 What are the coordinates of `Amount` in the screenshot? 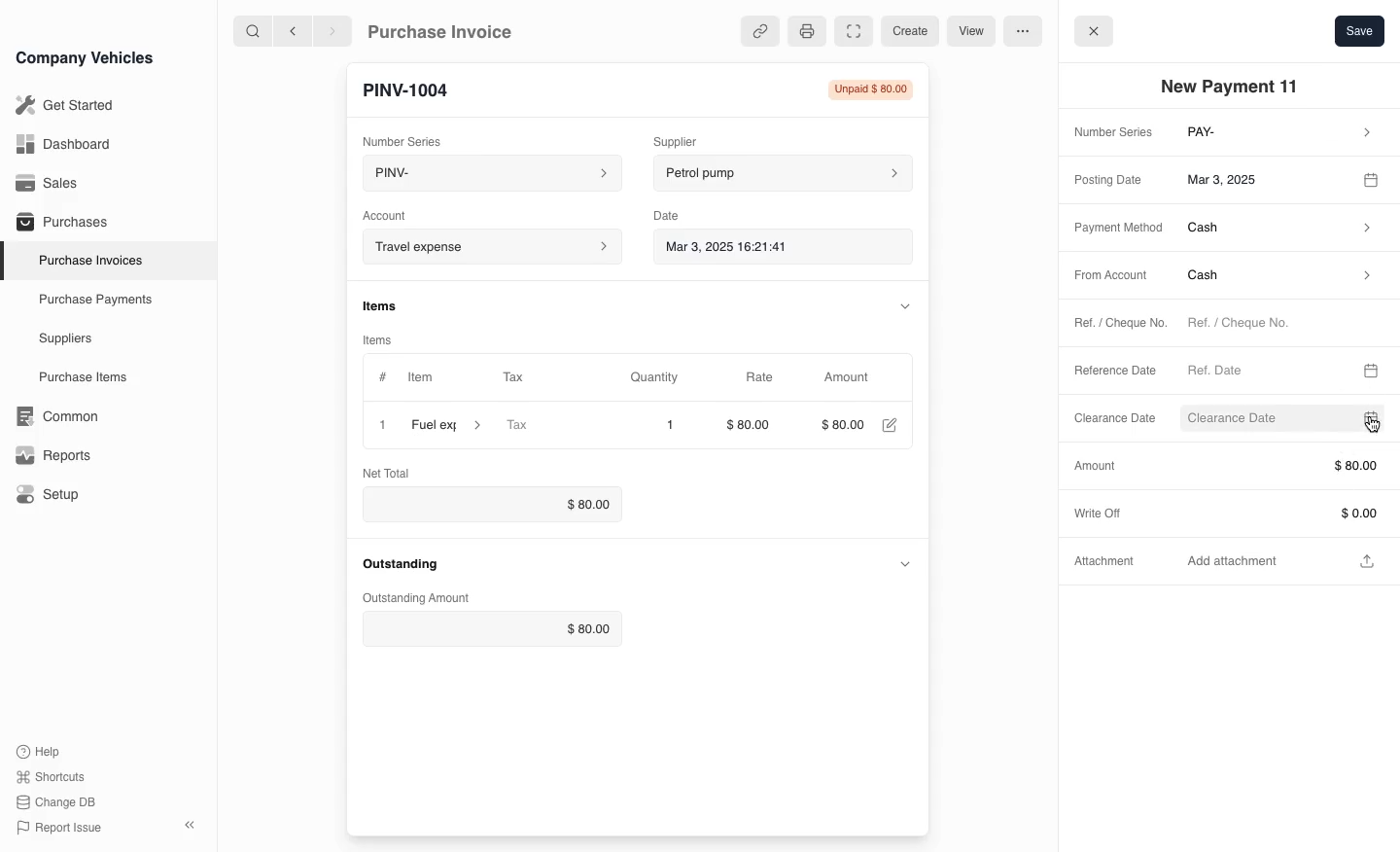 It's located at (849, 377).